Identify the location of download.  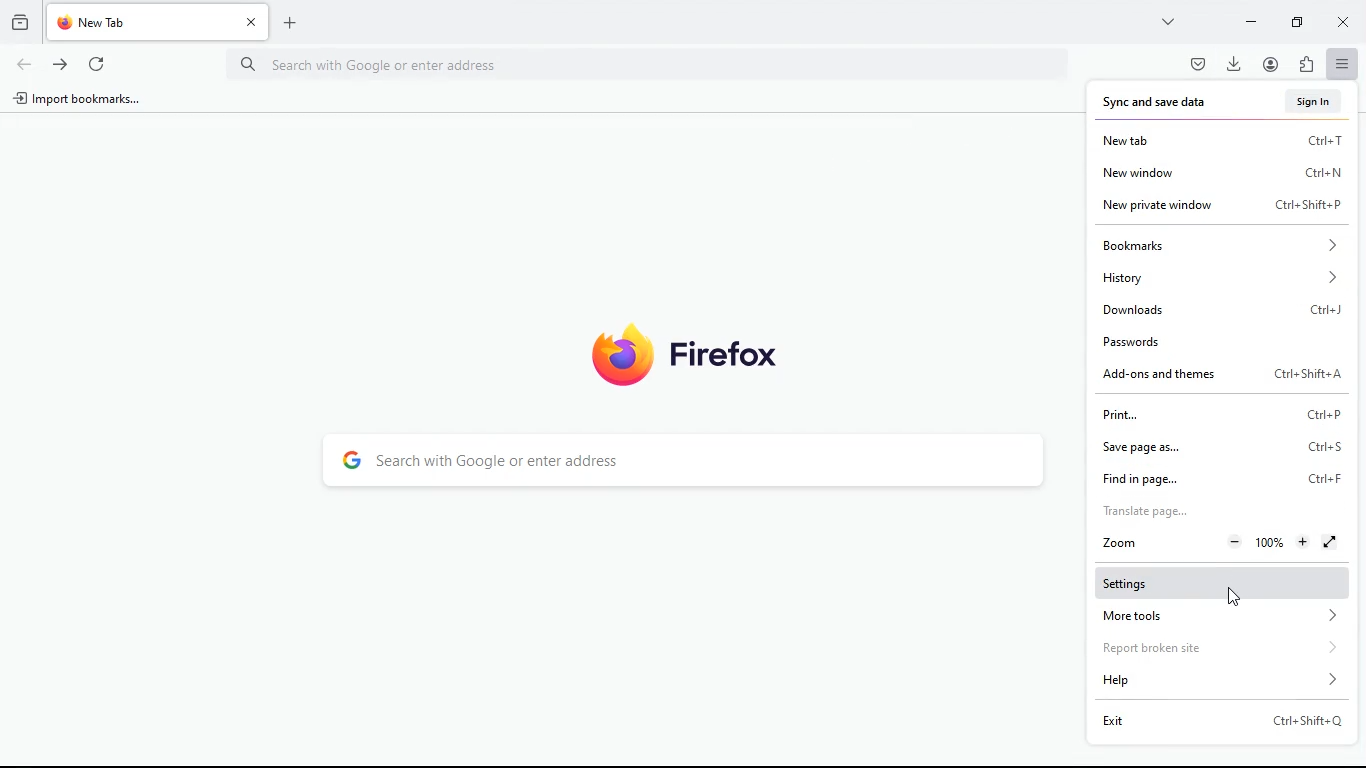
(1234, 62).